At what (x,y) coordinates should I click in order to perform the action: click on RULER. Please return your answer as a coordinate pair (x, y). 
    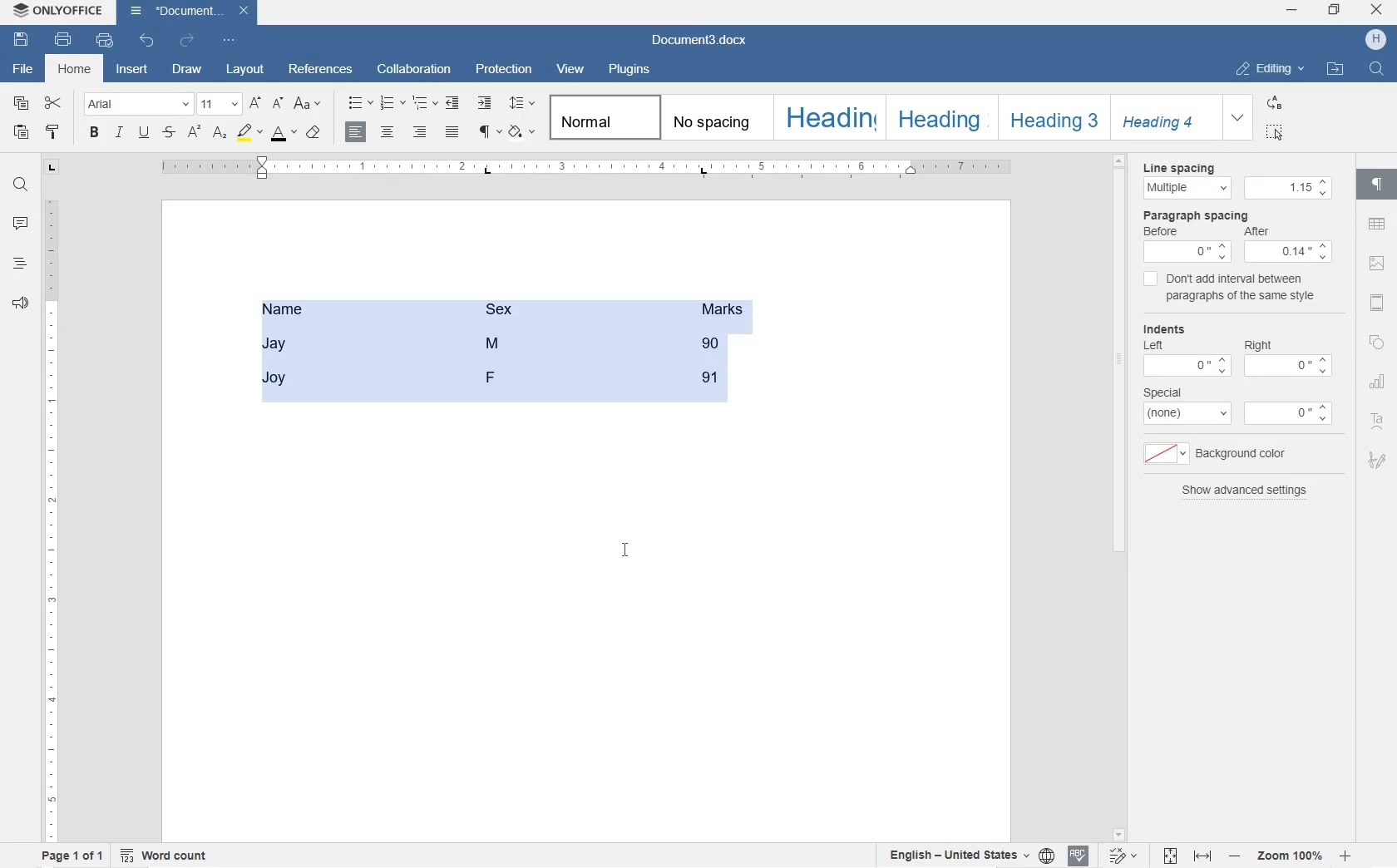
    Looking at the image, I should click on (49, 517).